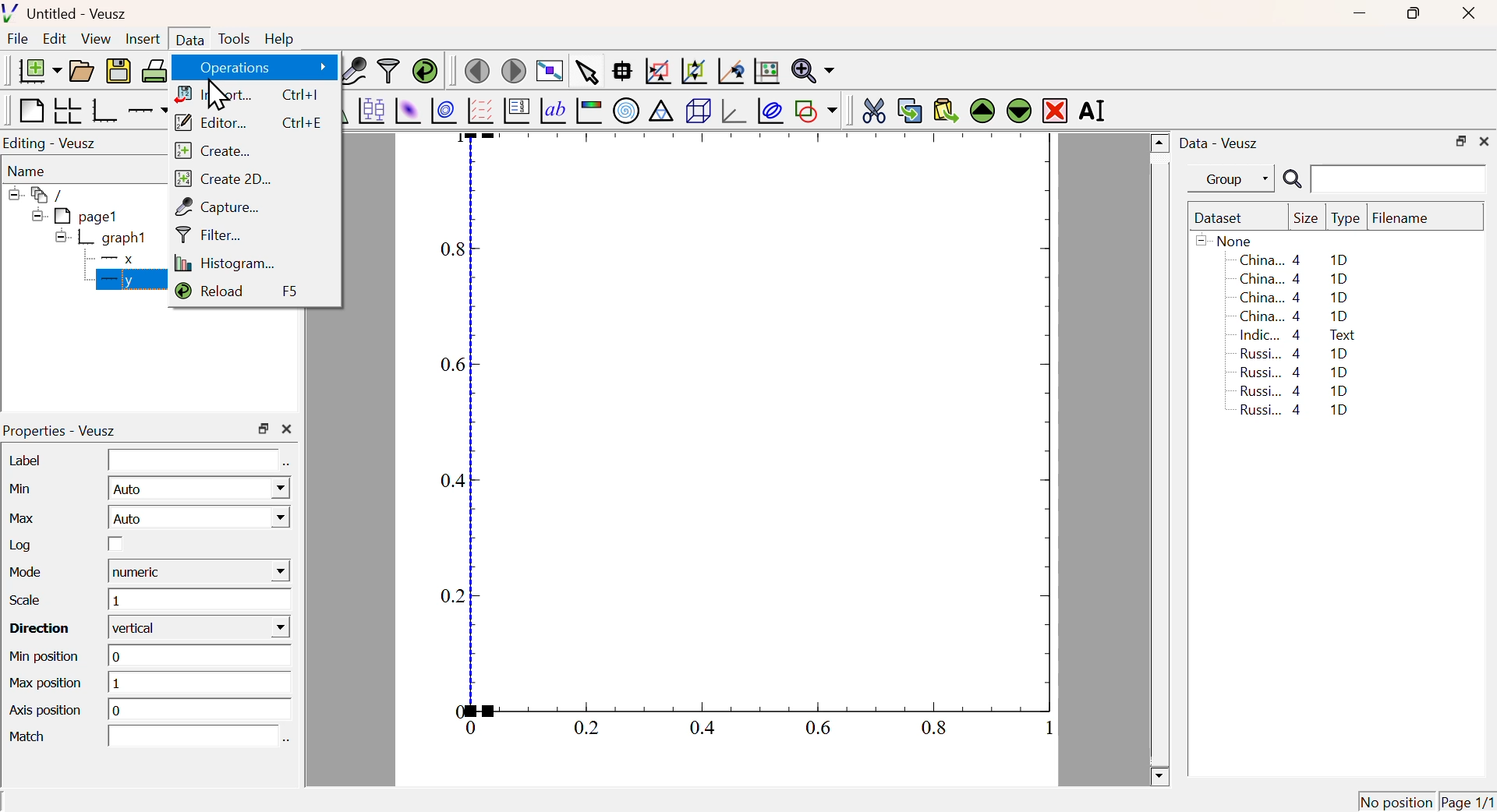 The width and height of the screenshot is (1497, 812). Describe the element at coordinates (24, 517) in the screenshot. I see `Max` at that location.